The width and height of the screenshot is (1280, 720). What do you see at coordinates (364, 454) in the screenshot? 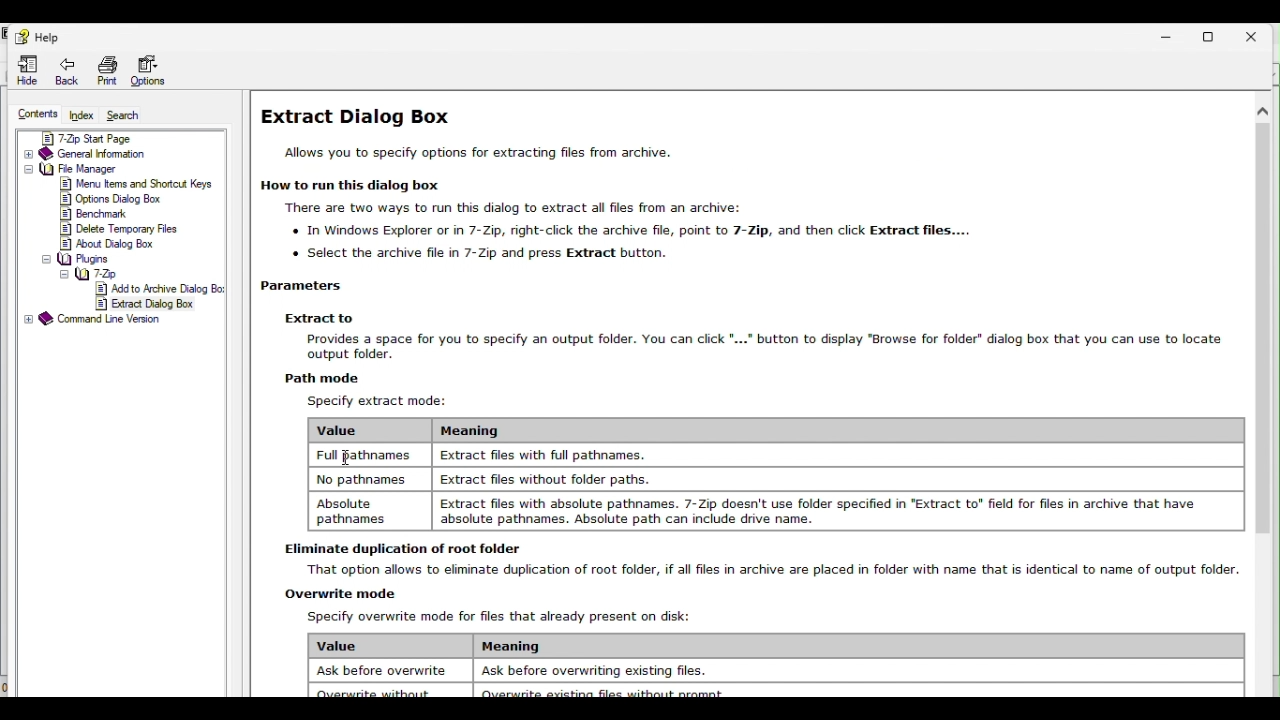
I see `full` at bounding box center [364, 454].